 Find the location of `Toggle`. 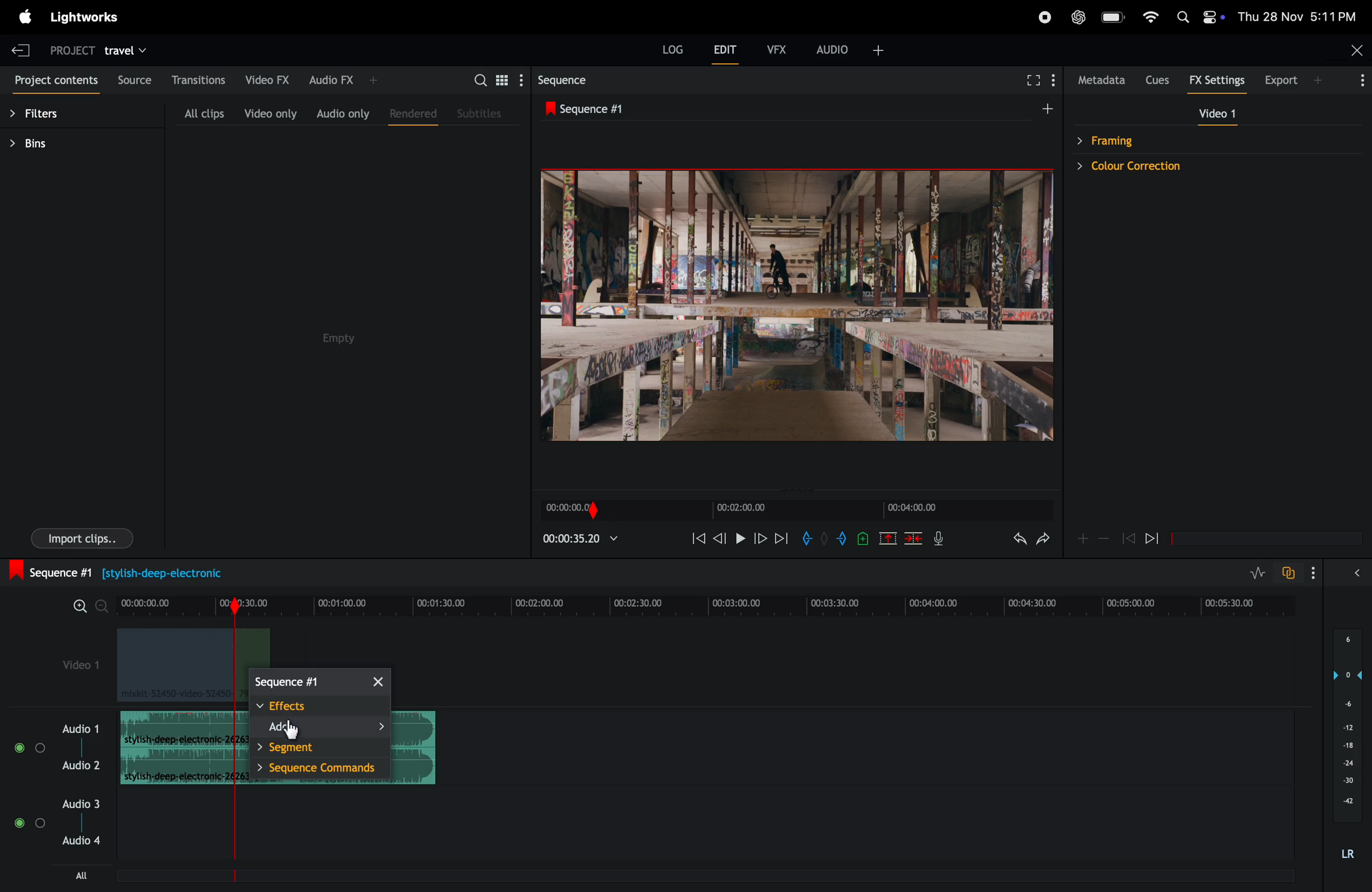

Toggle is located at coordinates (42, 747).